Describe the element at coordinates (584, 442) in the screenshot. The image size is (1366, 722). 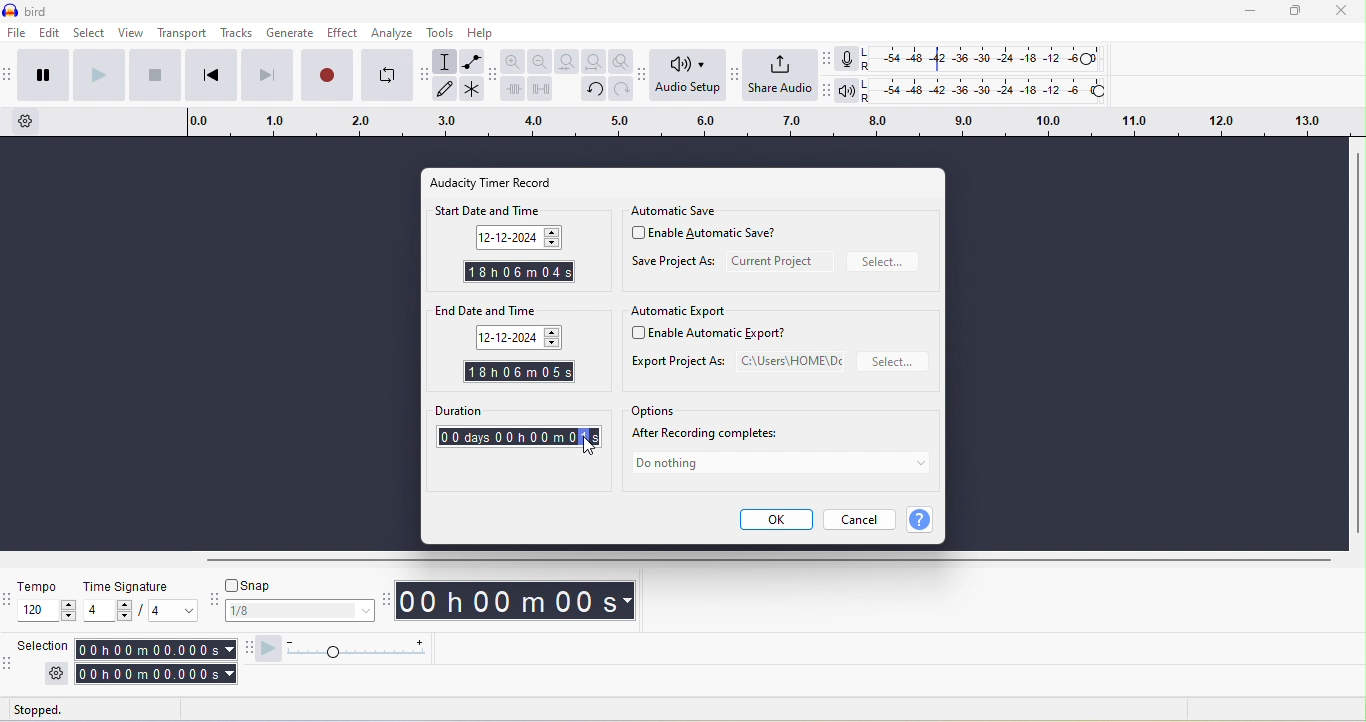
I see `1S selected` at that location.